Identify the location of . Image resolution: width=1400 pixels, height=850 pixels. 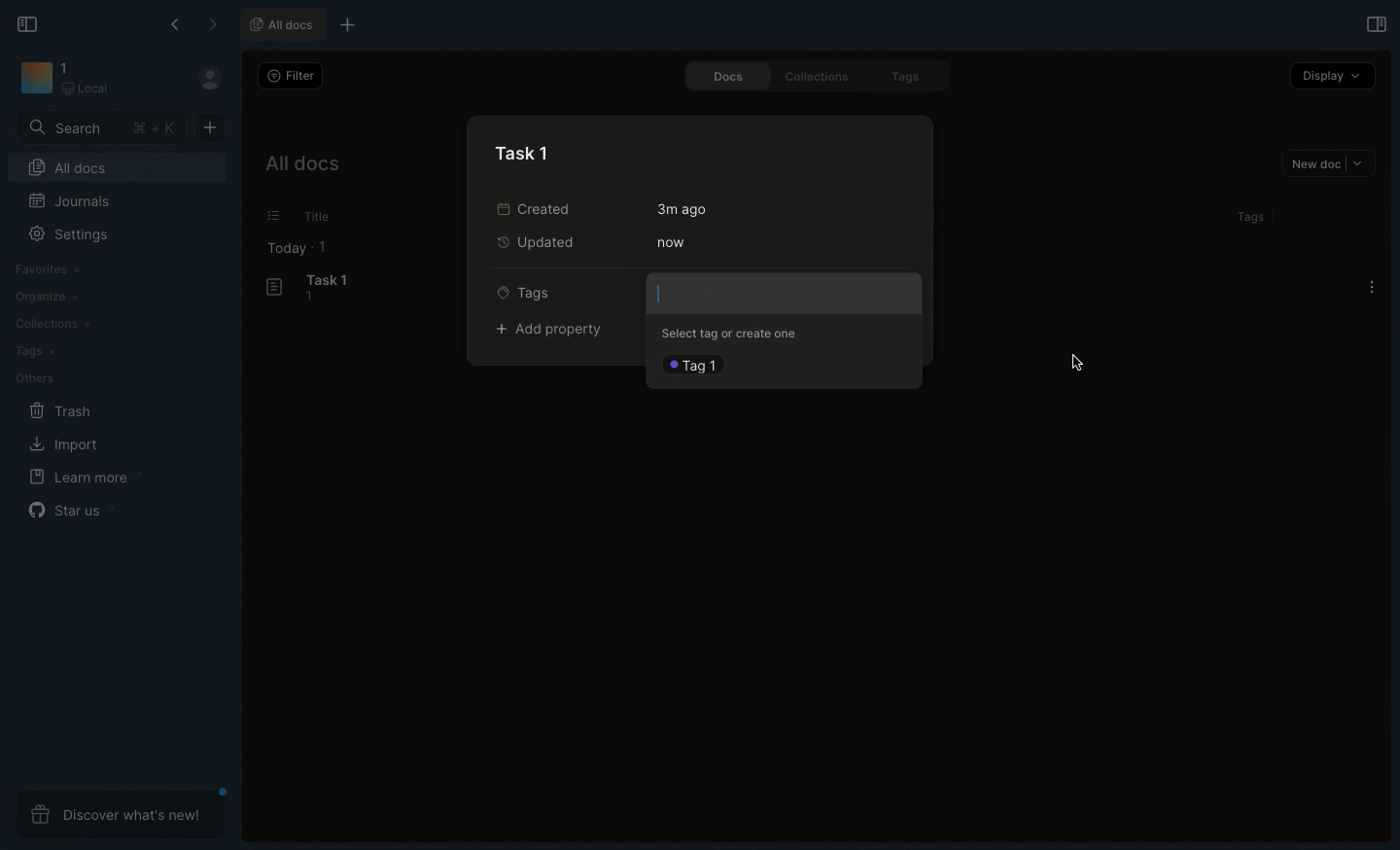
(273, 215).